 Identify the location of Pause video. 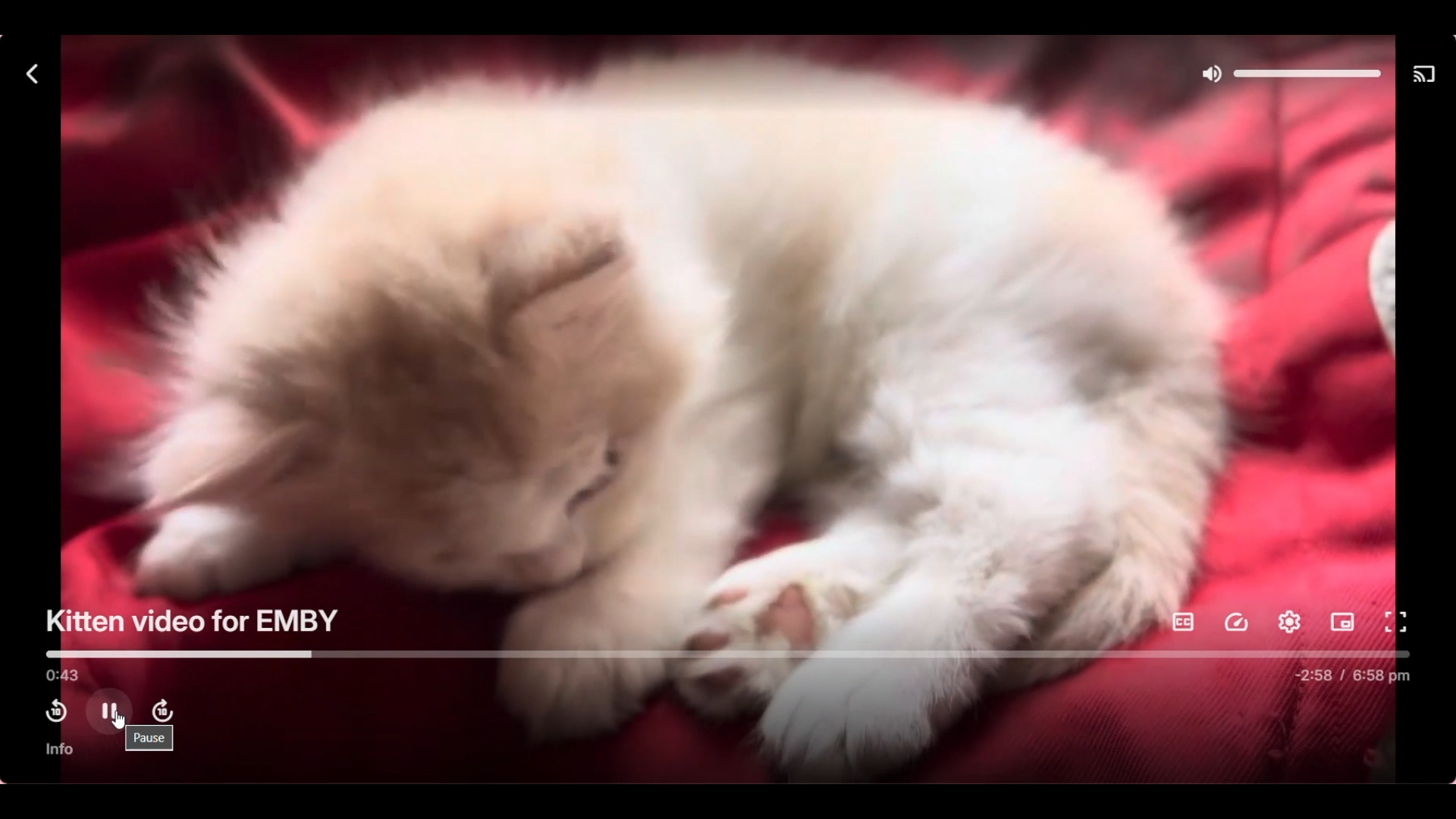
(109, 708).